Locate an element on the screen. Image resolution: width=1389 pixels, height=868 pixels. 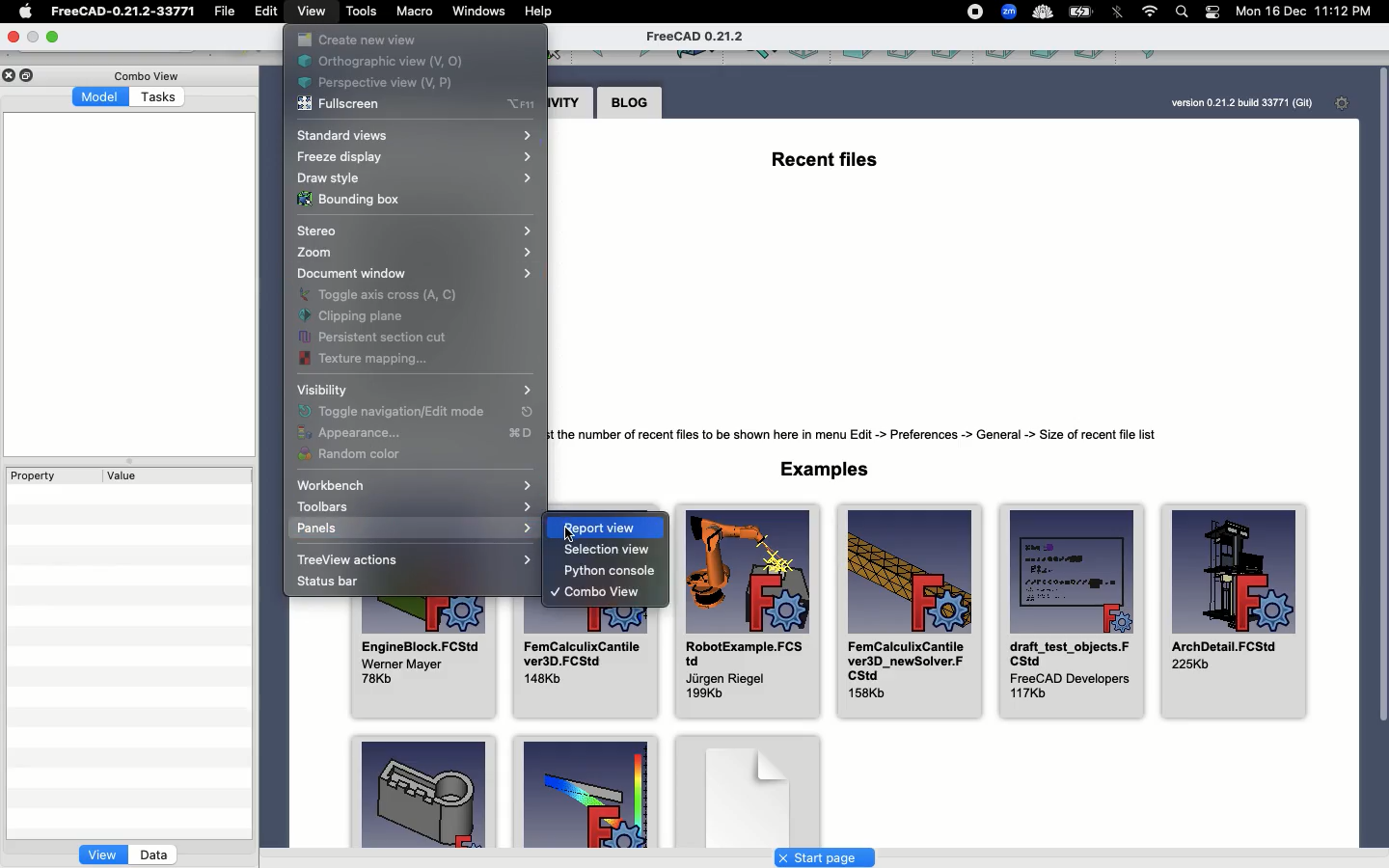
Charge is located at coordinates (1083, 12).